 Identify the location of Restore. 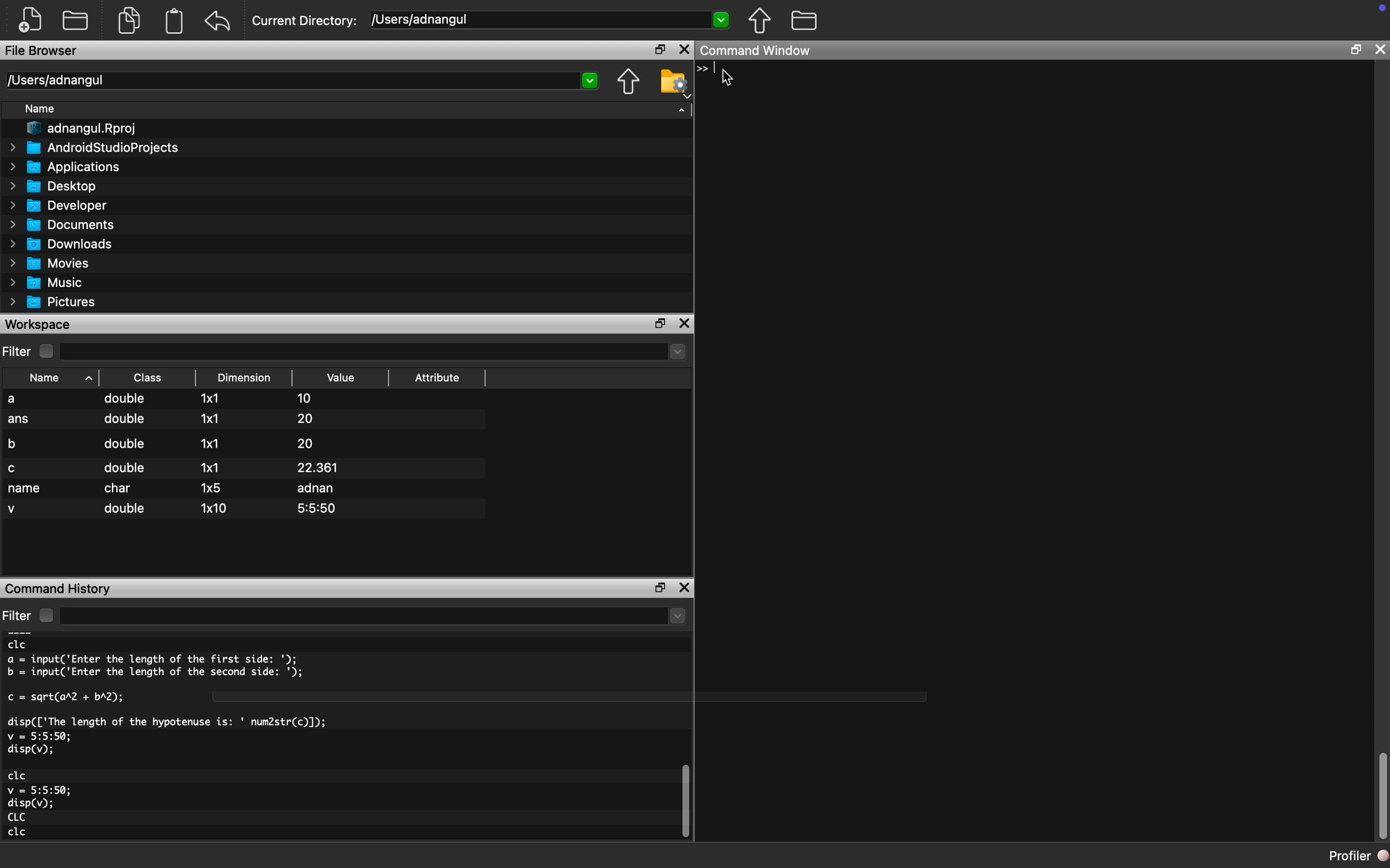
(1356, 49).